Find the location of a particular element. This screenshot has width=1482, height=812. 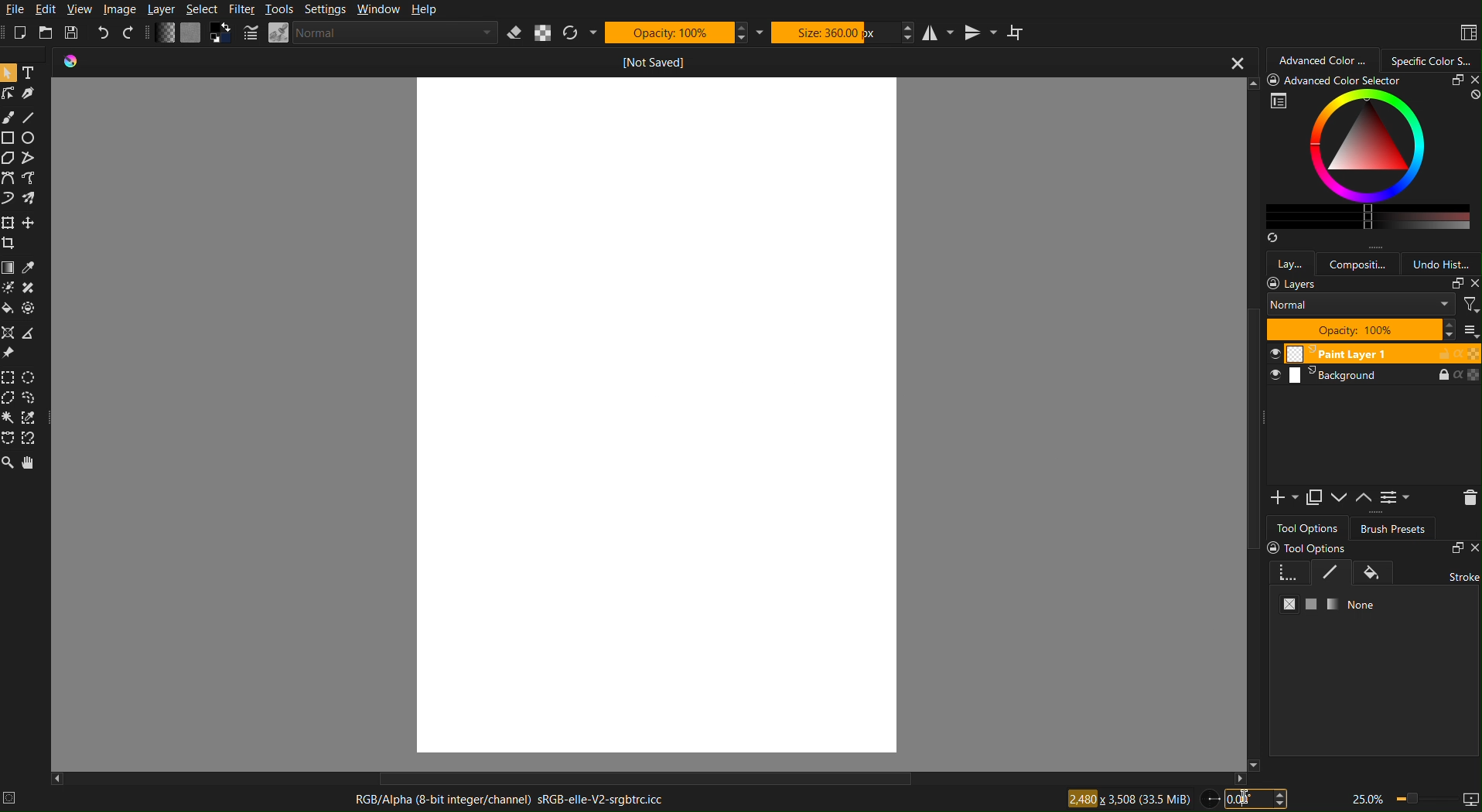

Window is located at coordinates (381, 10).